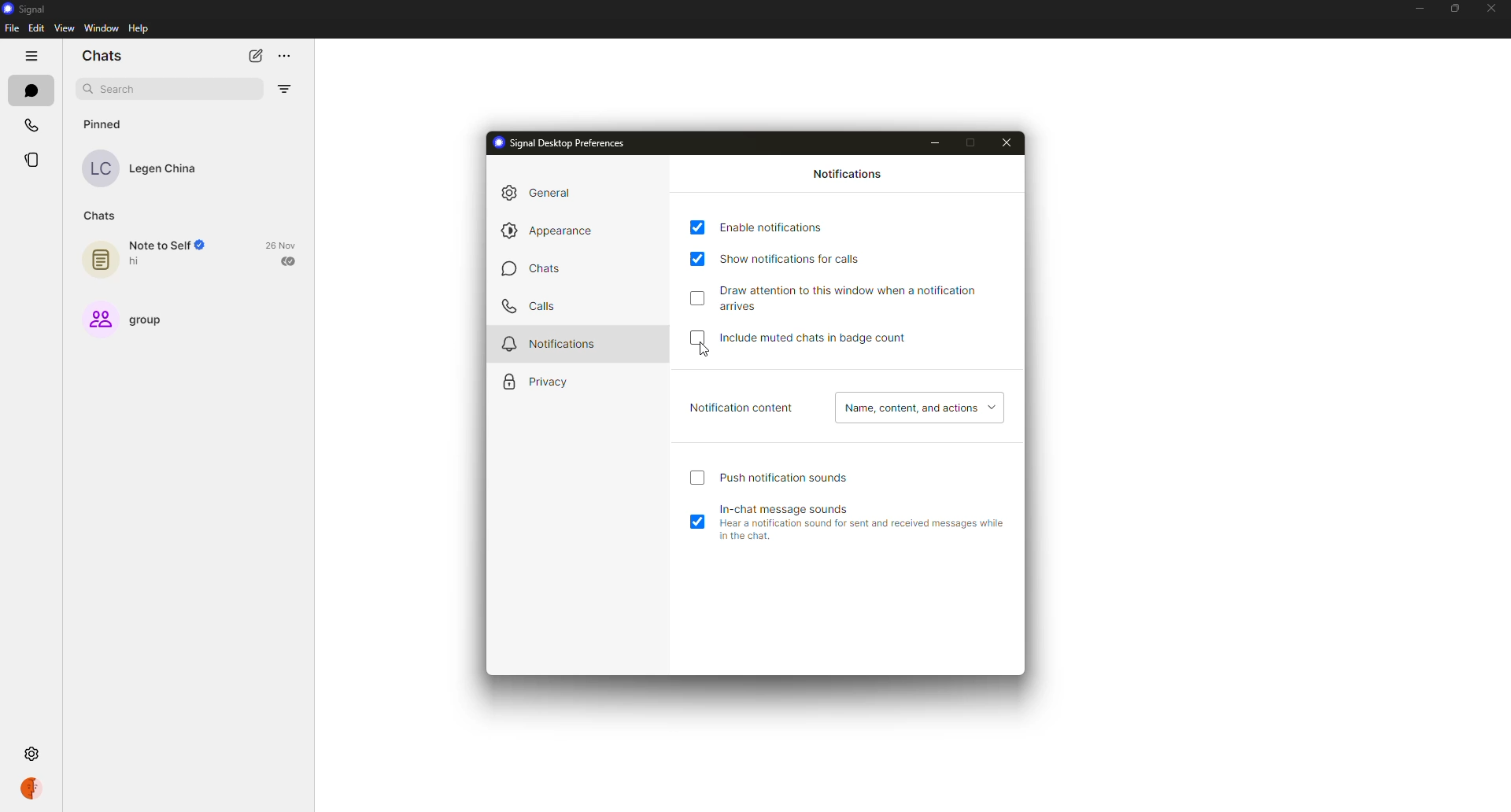 Image resolution: width=1511 pixels, height=812 pixels. Describe the element at coordinates (700, 522) in the screenshot. I see `enabled` at that location.